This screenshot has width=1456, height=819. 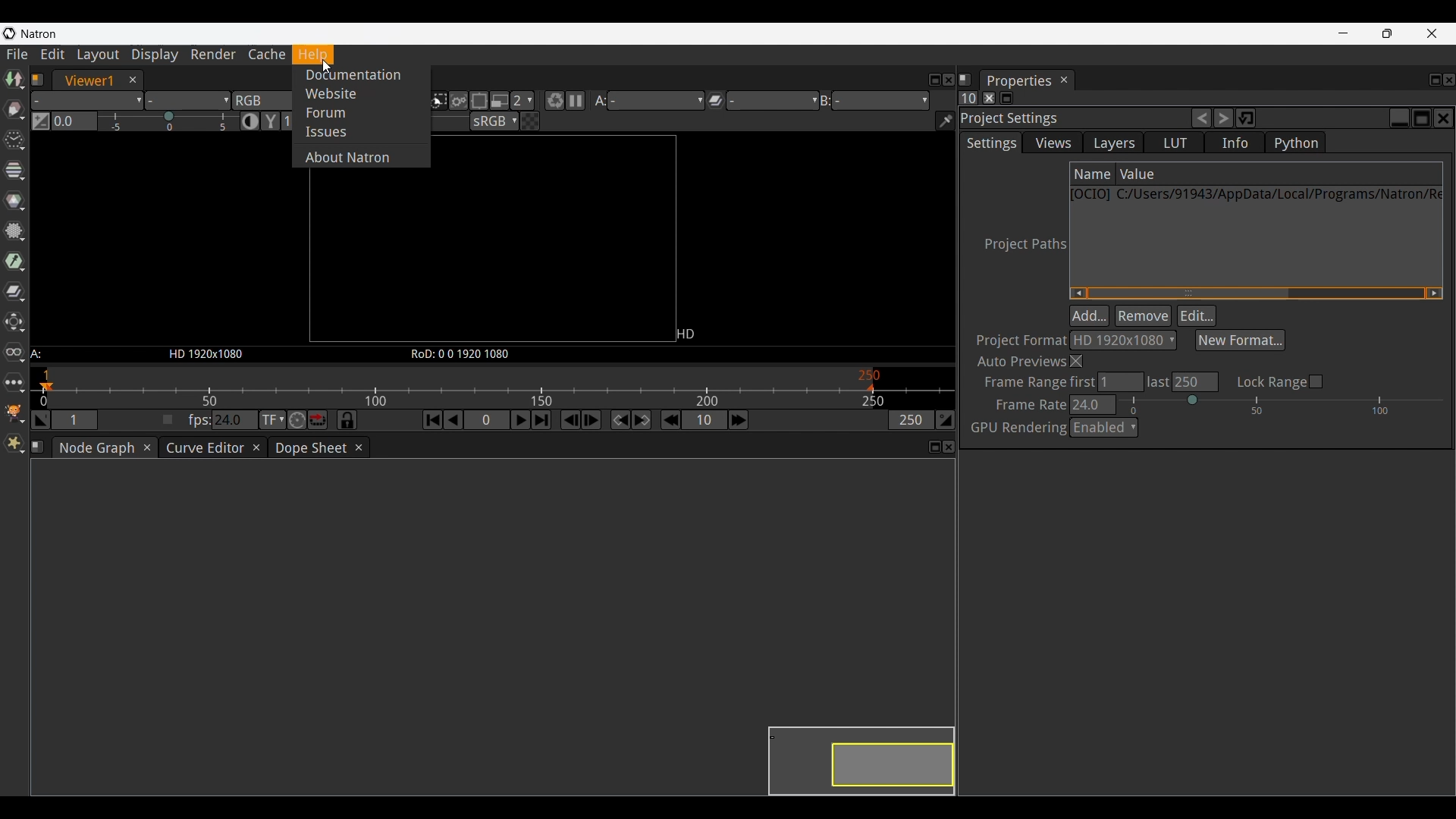 What do you see at coordinates (14, 140) in the screenshot?
I see `Time options` at bounding box center [14, 140].